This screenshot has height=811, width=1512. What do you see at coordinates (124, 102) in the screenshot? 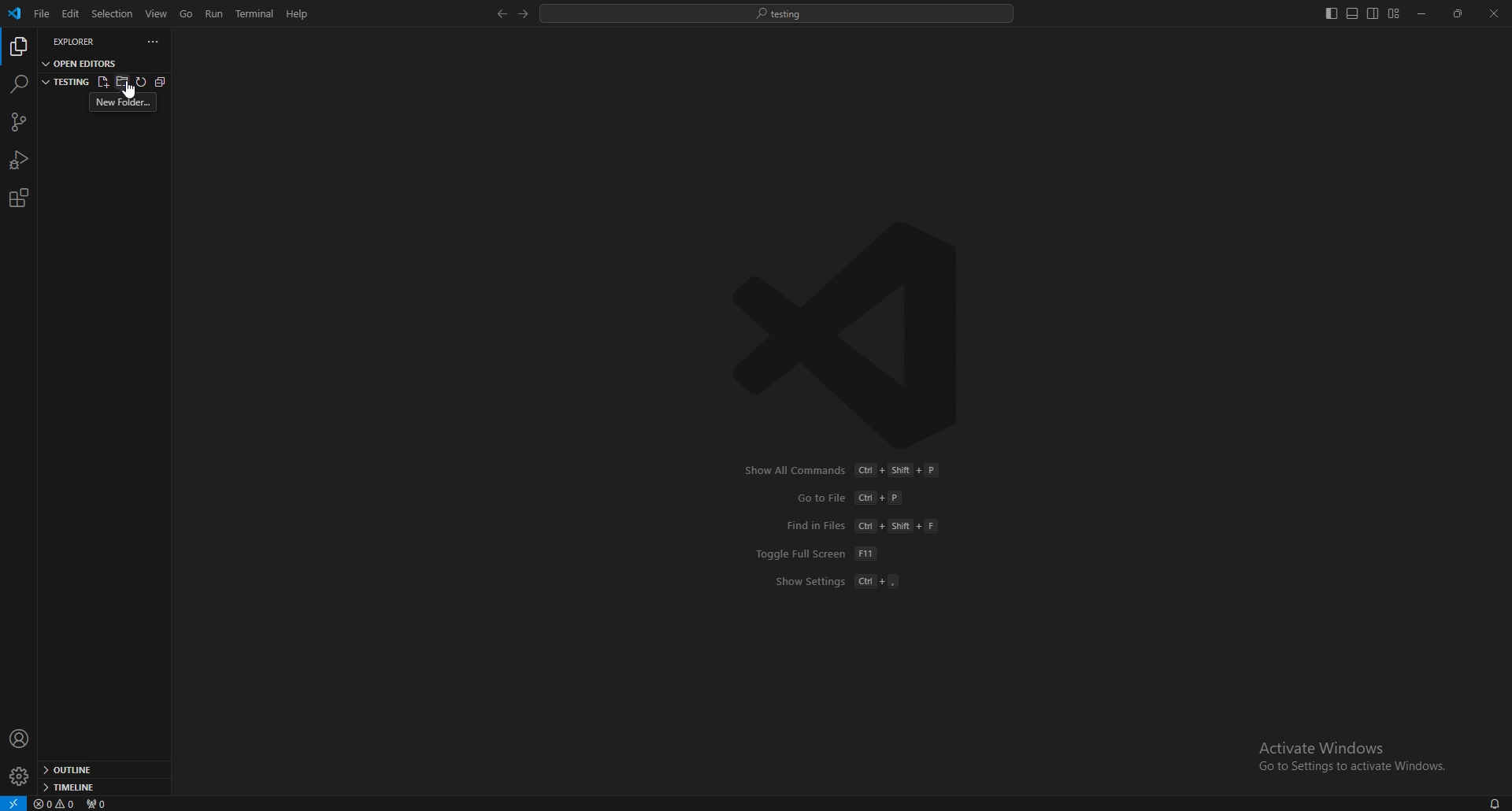
I see `tooltip` at bounding box center [124, 102].